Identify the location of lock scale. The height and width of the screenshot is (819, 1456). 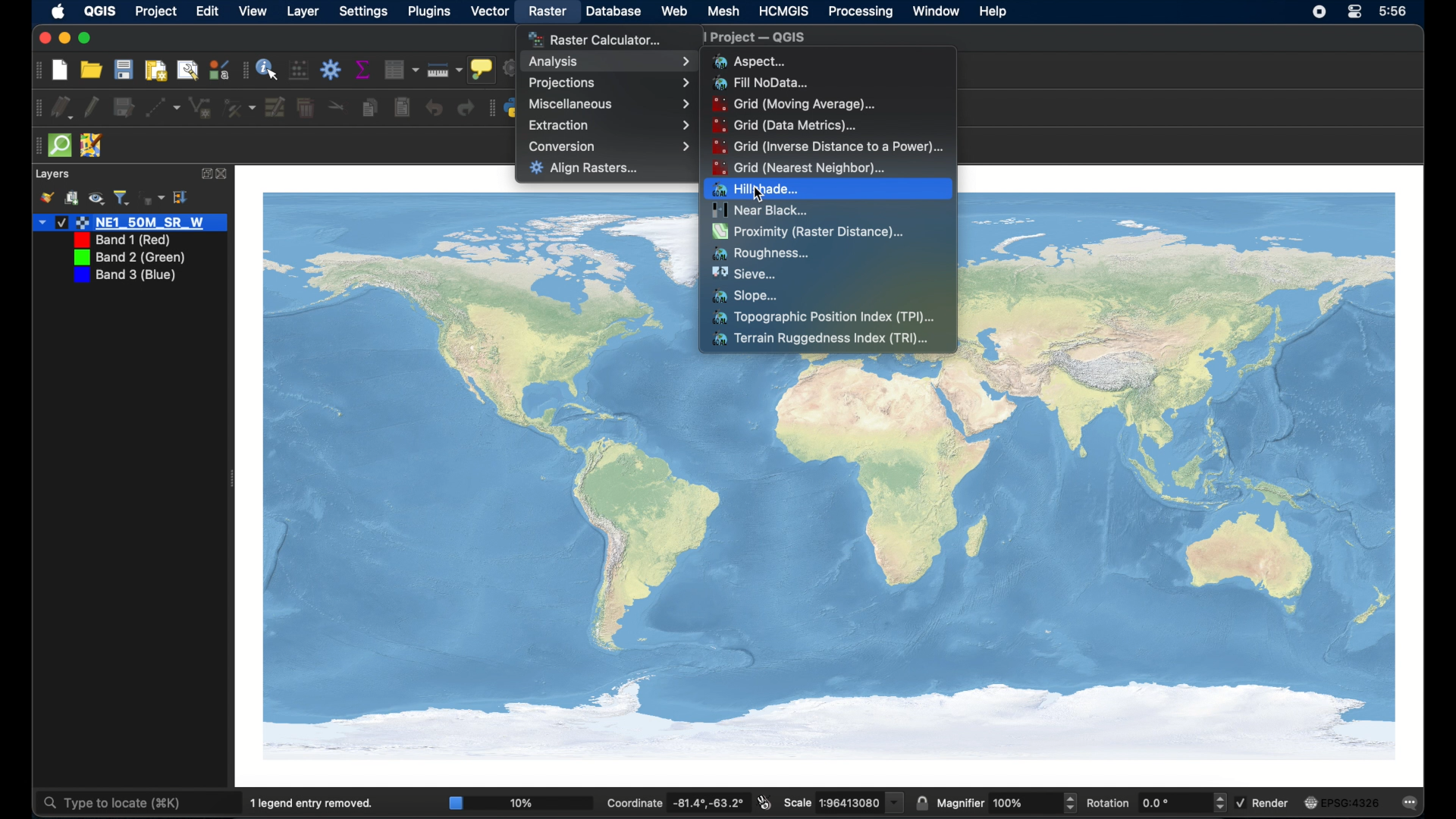
(921, 804).